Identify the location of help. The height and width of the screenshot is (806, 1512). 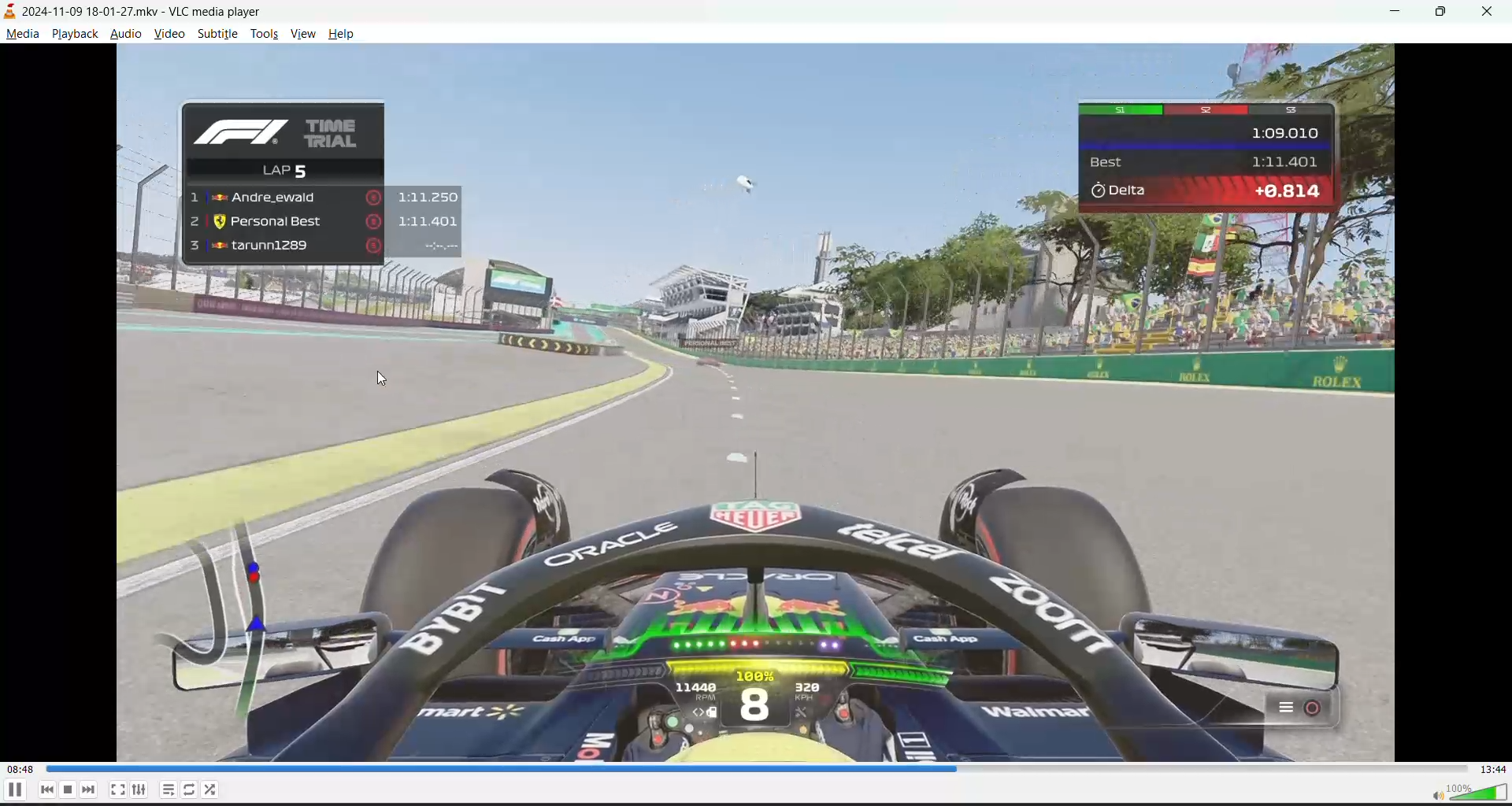
(343, 34).